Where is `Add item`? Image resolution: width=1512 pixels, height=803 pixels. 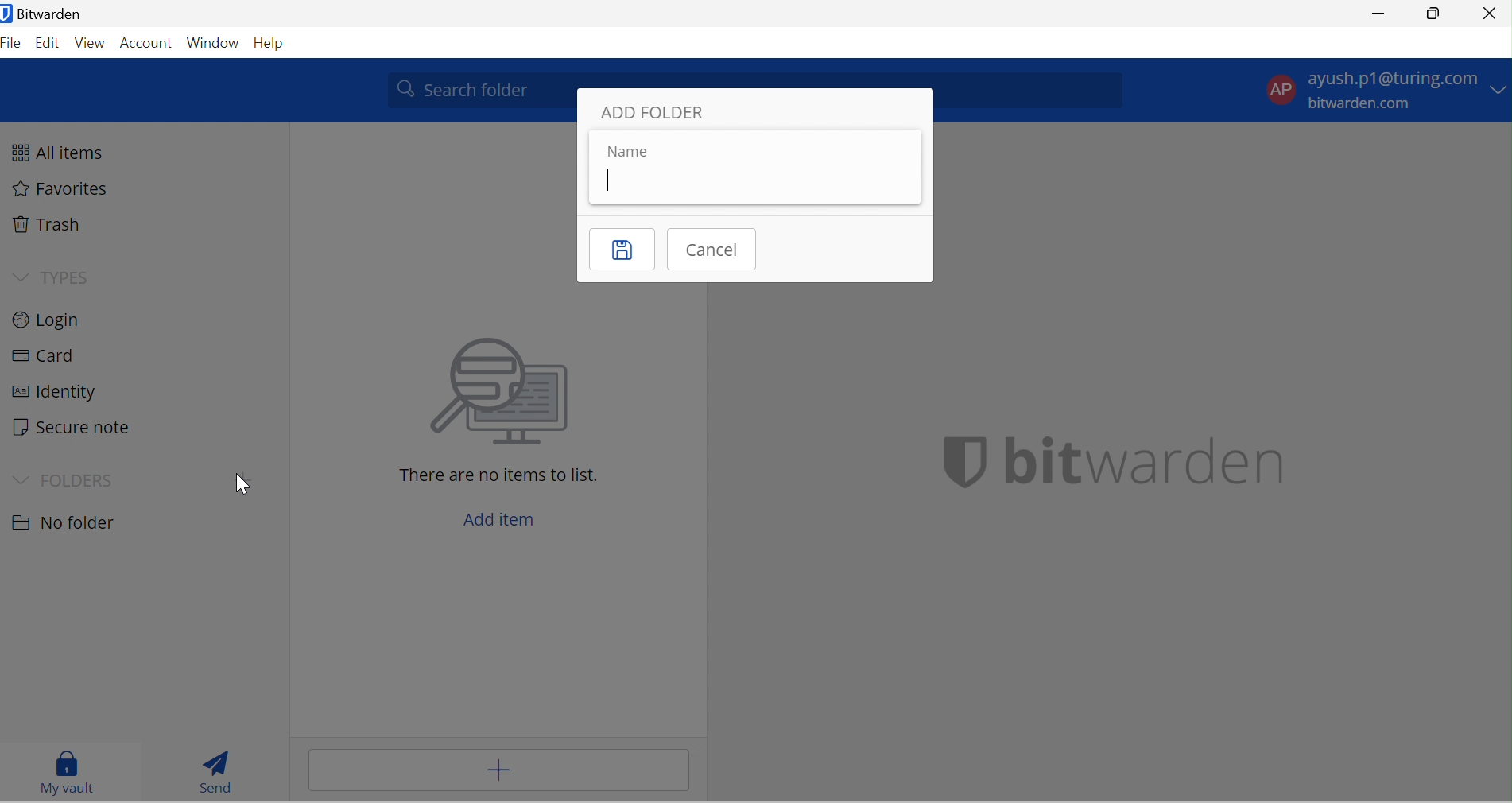 Add item is located at coordinates (498, 771).